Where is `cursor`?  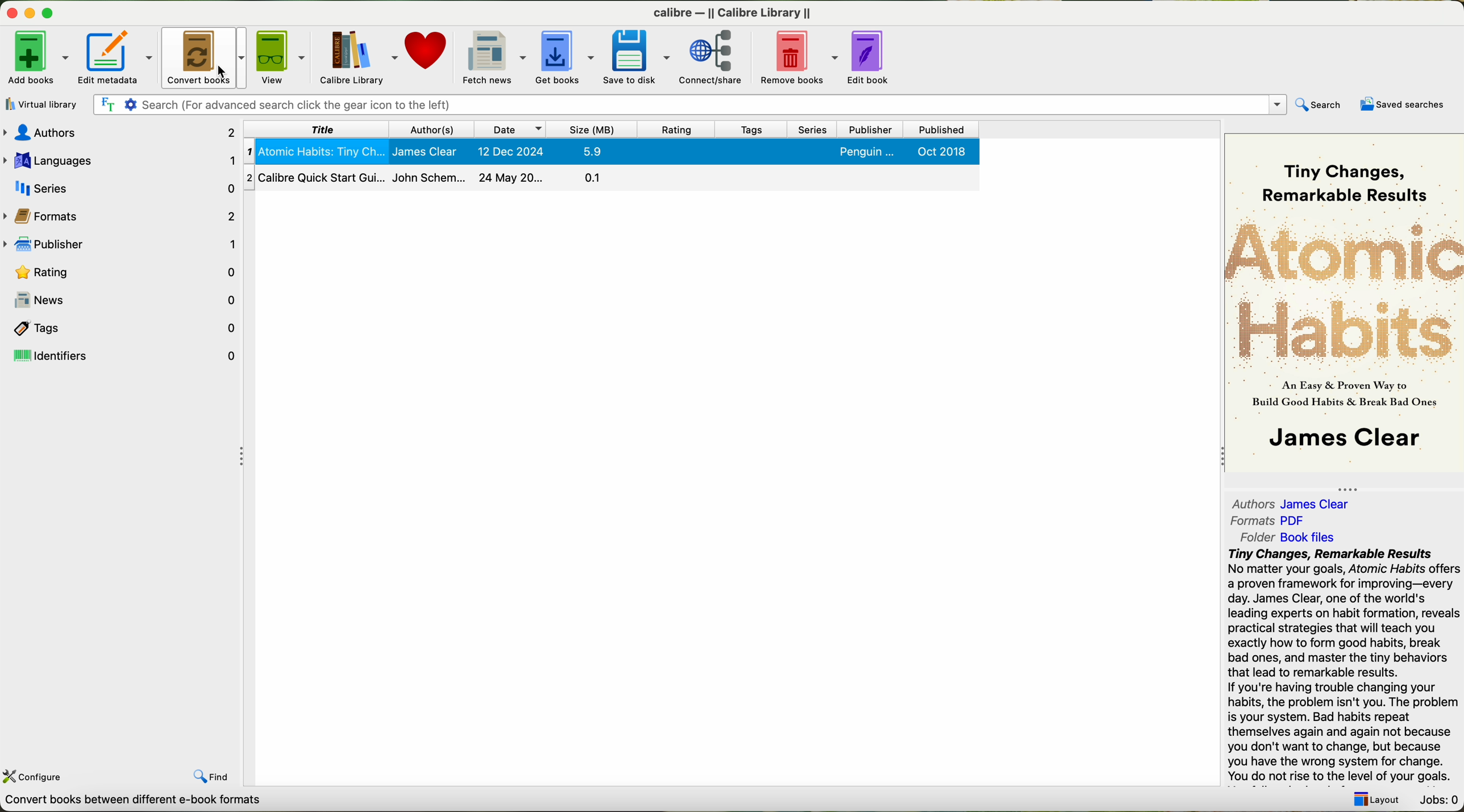
cursor is located at coordinates (222, 75).